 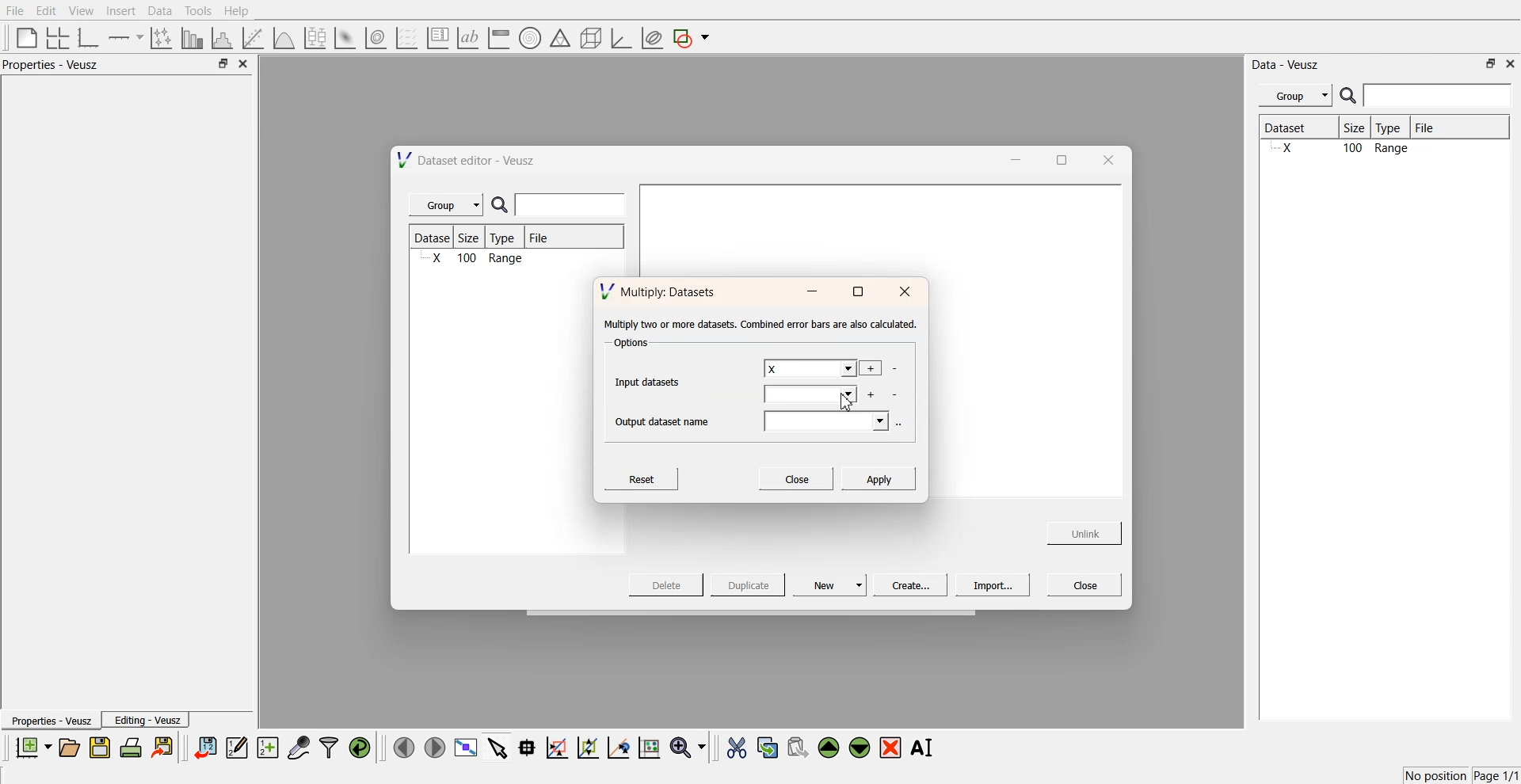 What do you see at coordinates (119, 11) in the screenshot?
I see `Insert` at bounding box center [119, 11].